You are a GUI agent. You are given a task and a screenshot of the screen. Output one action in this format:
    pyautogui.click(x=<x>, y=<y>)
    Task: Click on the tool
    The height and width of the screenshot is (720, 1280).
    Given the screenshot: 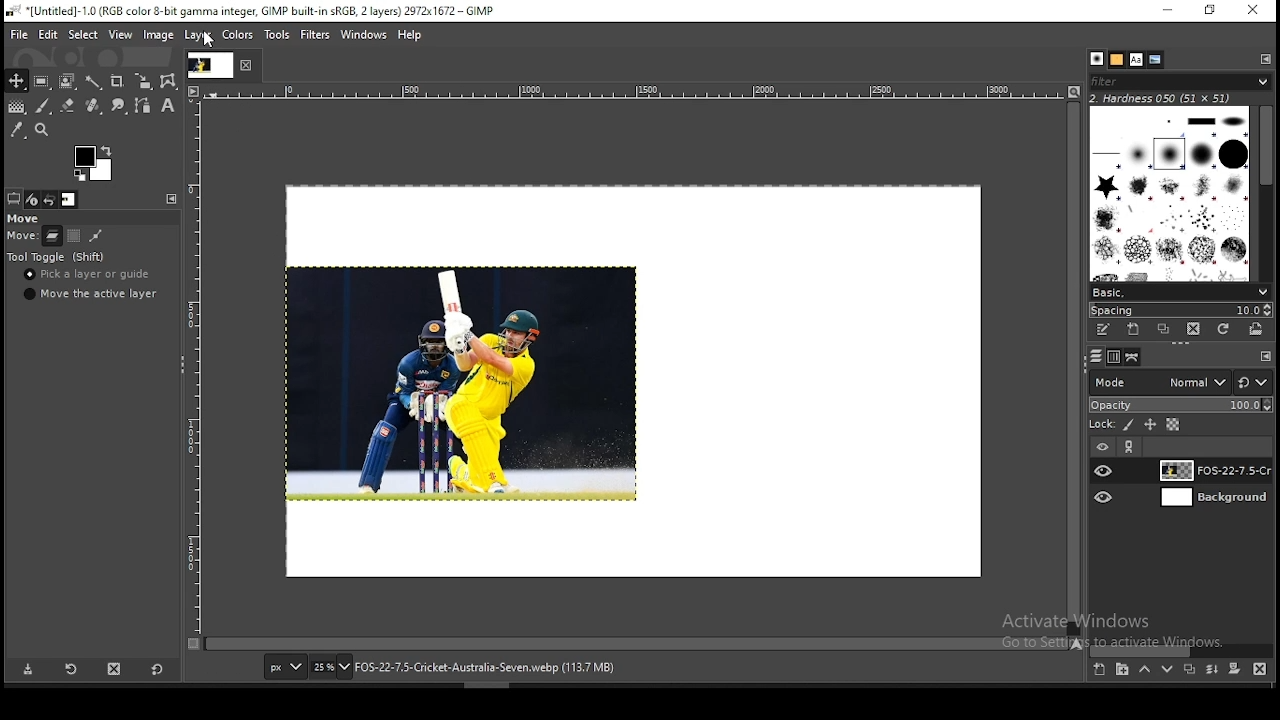 What is the action you would take?
    pyautogui.click(x=169, y=198)
    